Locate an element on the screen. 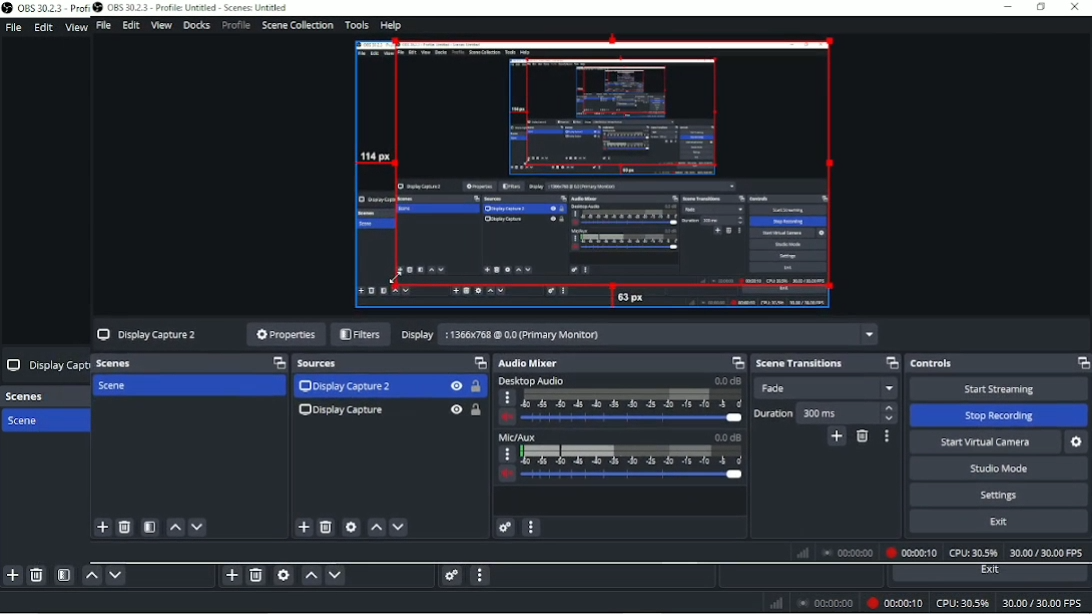 The width and height of the screenshot is (1092, 614). Advanced audio properties is located at coordinates (450, 577).